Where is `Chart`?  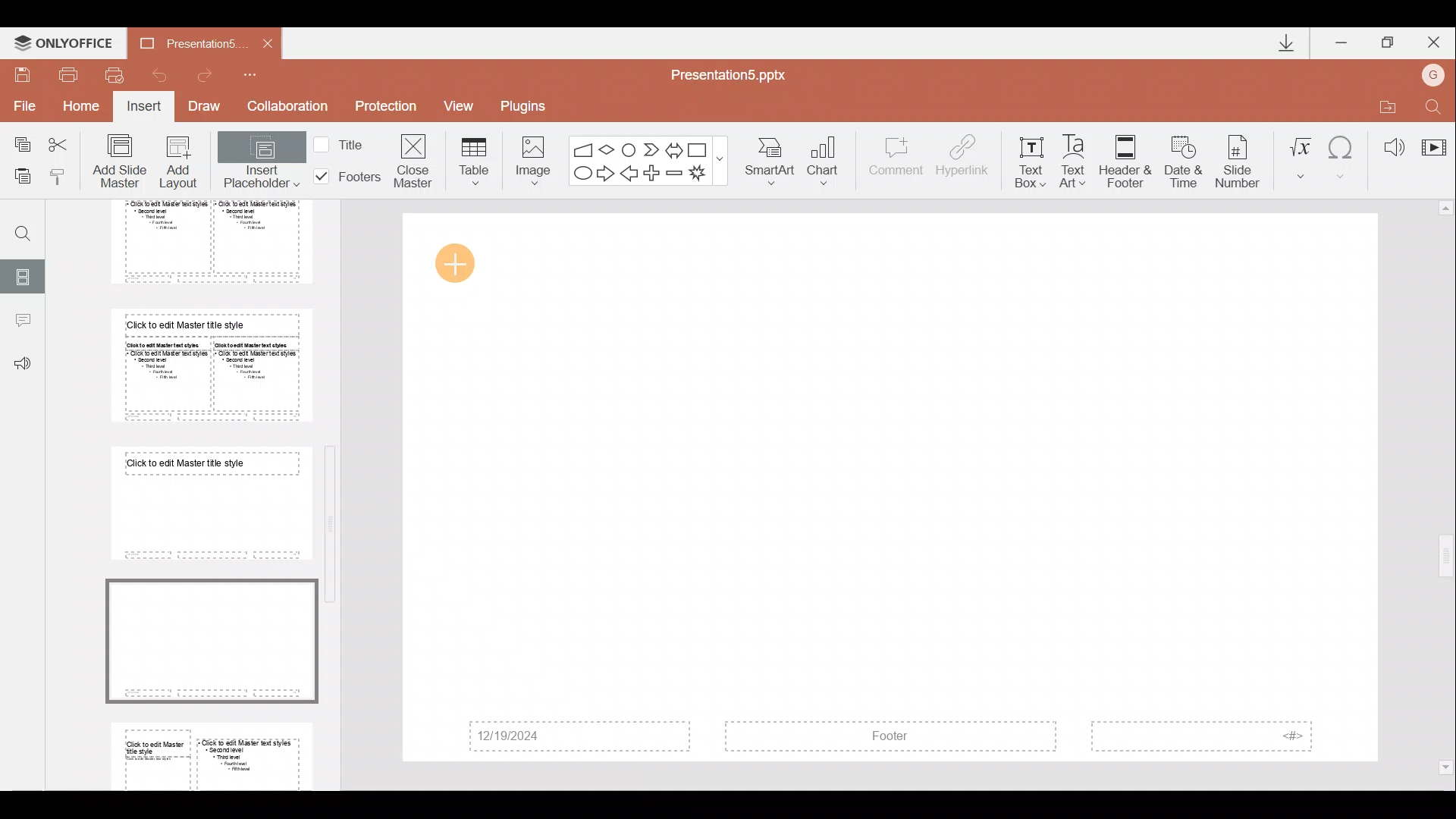
Chart is located at coordinates (833, 162).